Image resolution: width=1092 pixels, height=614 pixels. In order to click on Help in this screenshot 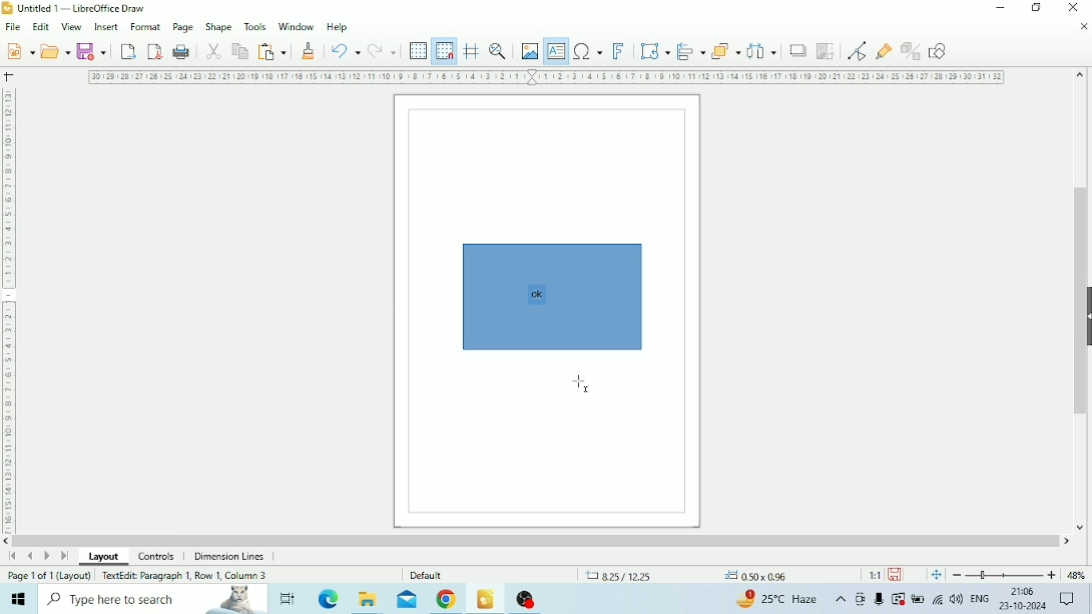, I will do `click(338, 28)`.